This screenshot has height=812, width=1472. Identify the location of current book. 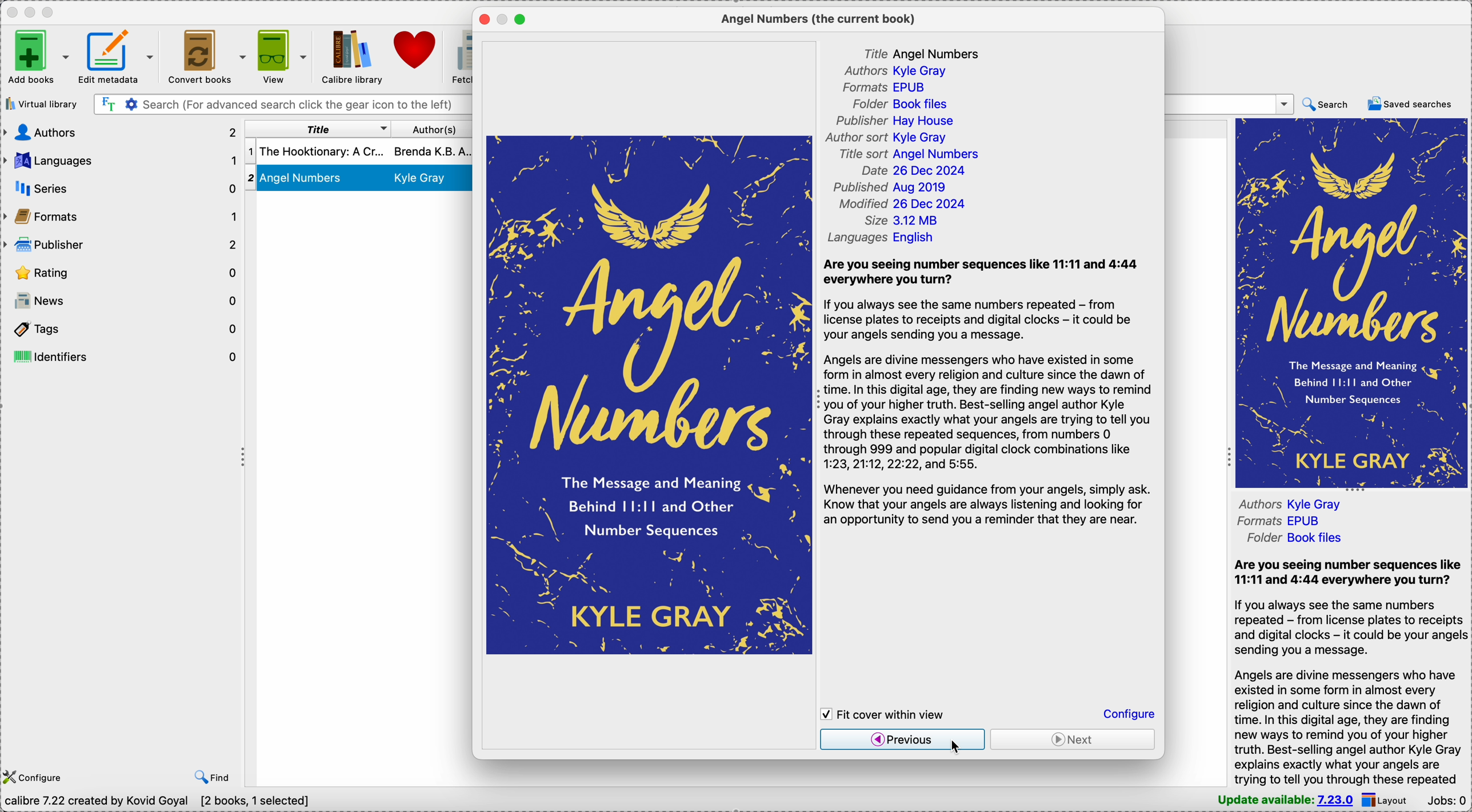
(822, 19).